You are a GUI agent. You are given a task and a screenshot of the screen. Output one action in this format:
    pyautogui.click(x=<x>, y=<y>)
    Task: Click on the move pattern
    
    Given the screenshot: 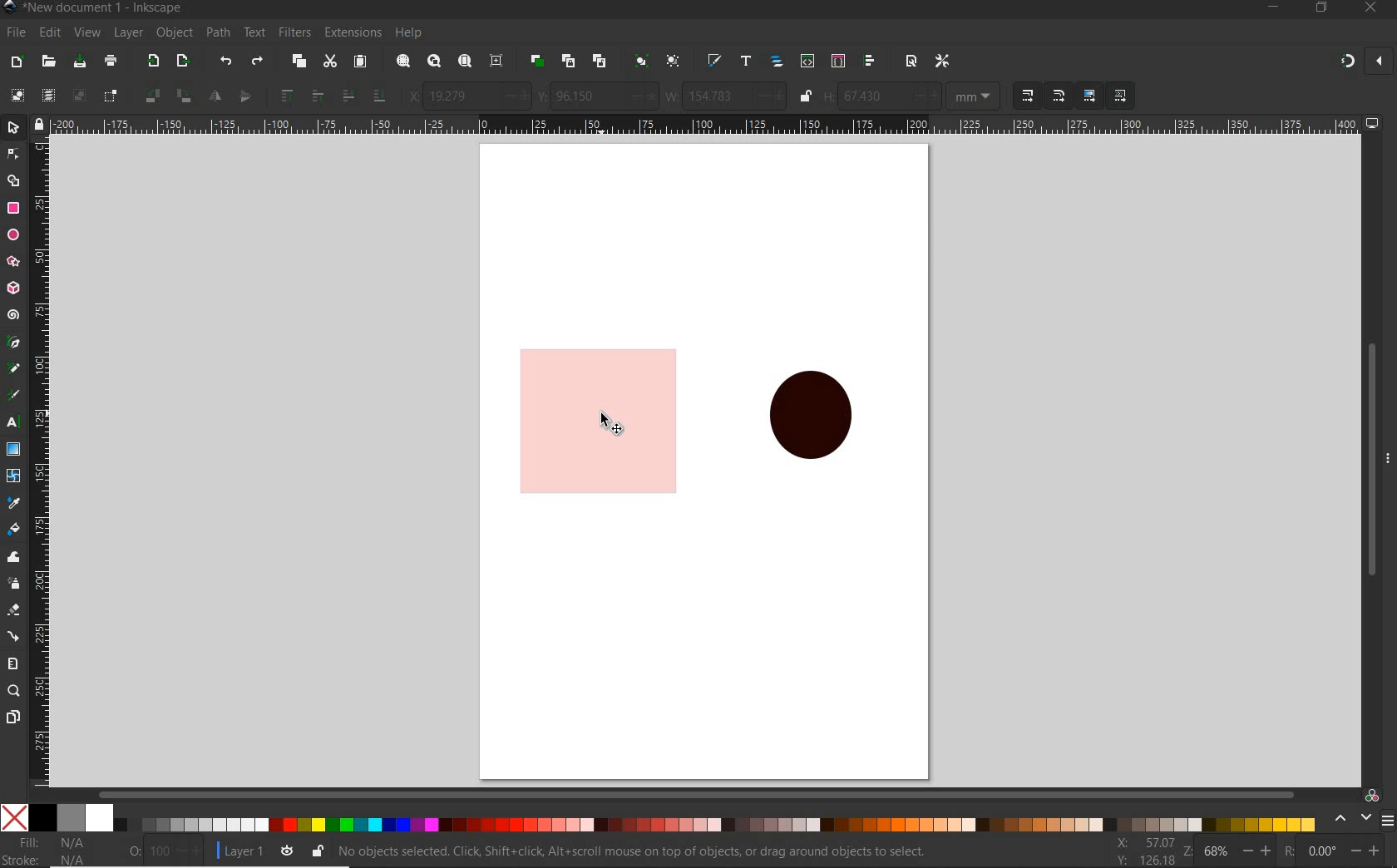 What is the action you would take?
    pyautogui.click(x=1118, y=96)
    